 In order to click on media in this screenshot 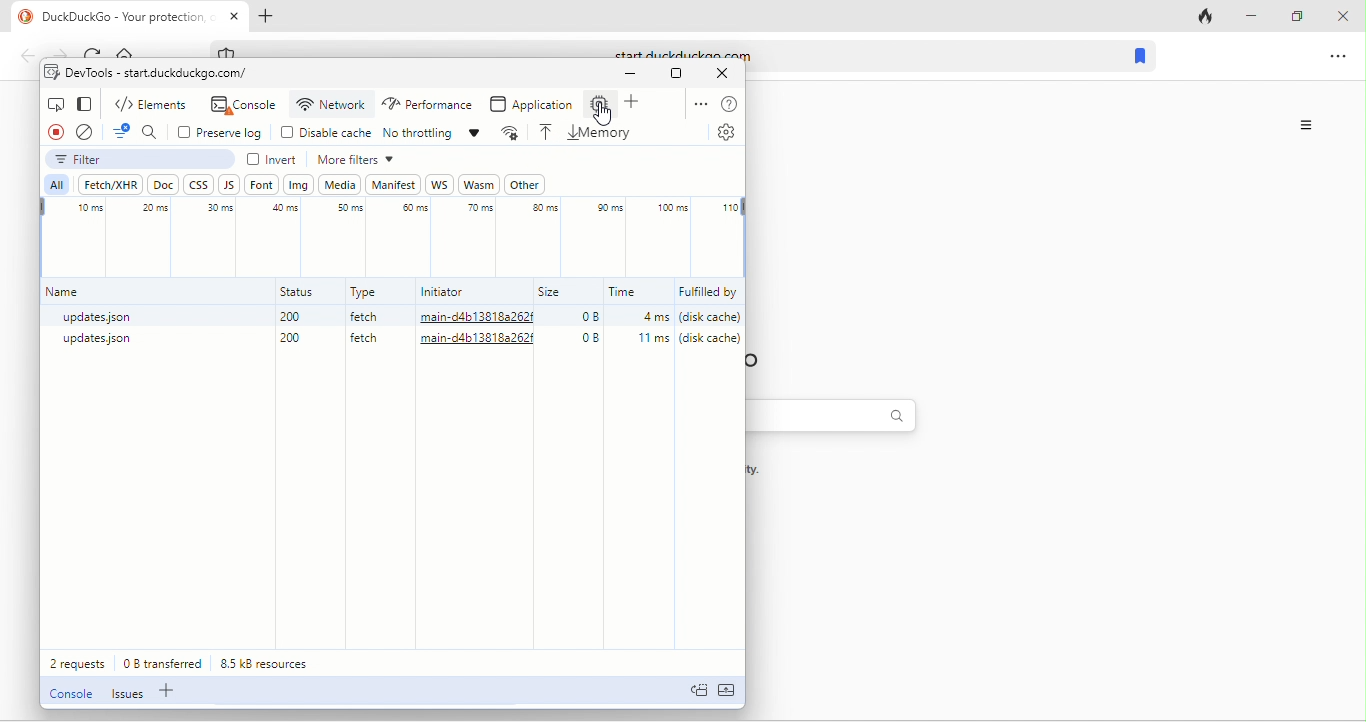, I will do `click(344, 187)`.